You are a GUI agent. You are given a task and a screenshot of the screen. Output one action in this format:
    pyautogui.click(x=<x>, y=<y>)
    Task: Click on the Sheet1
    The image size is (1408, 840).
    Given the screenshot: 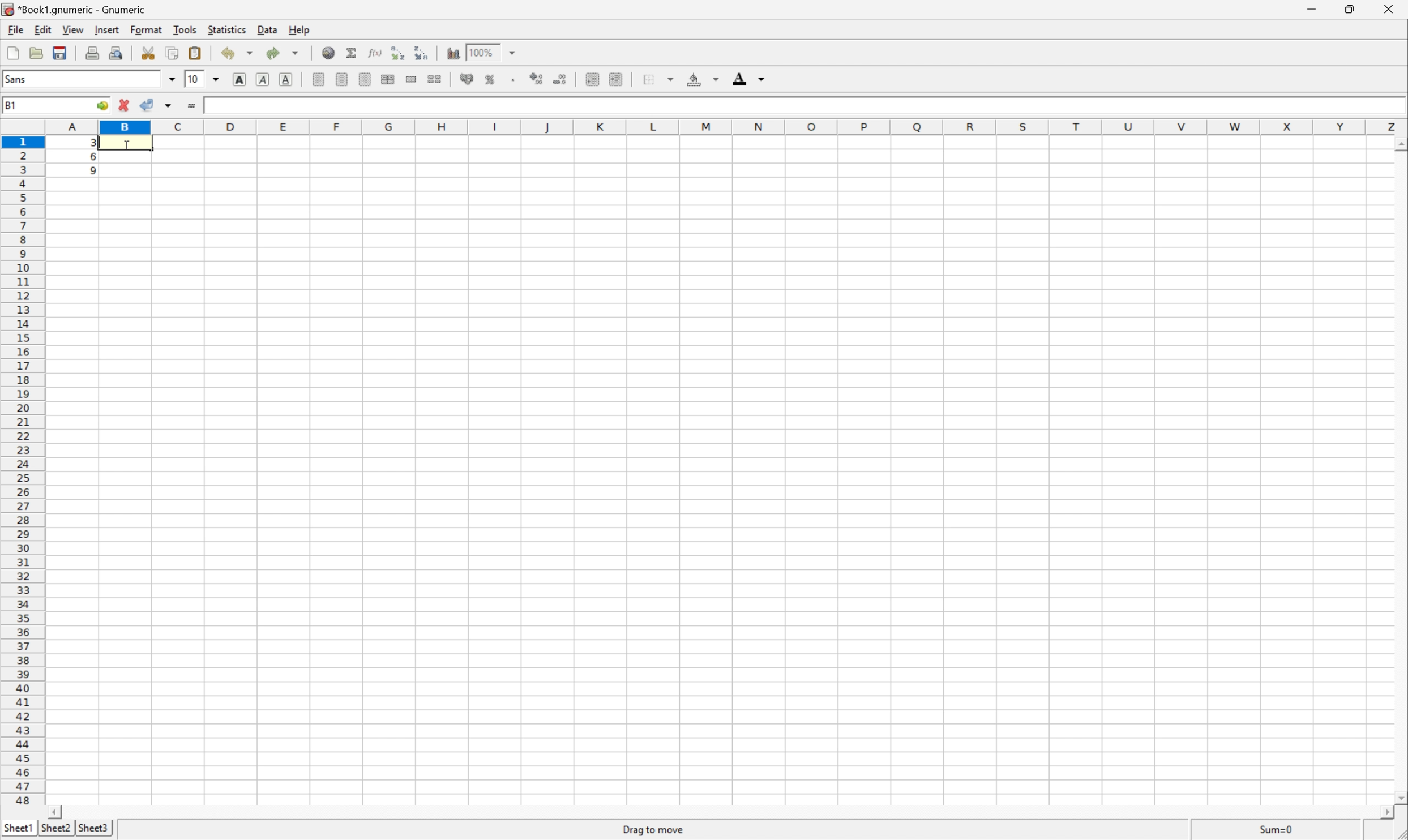 What is the action you would take?
    pyautogui.click(x=18, y=828)
    